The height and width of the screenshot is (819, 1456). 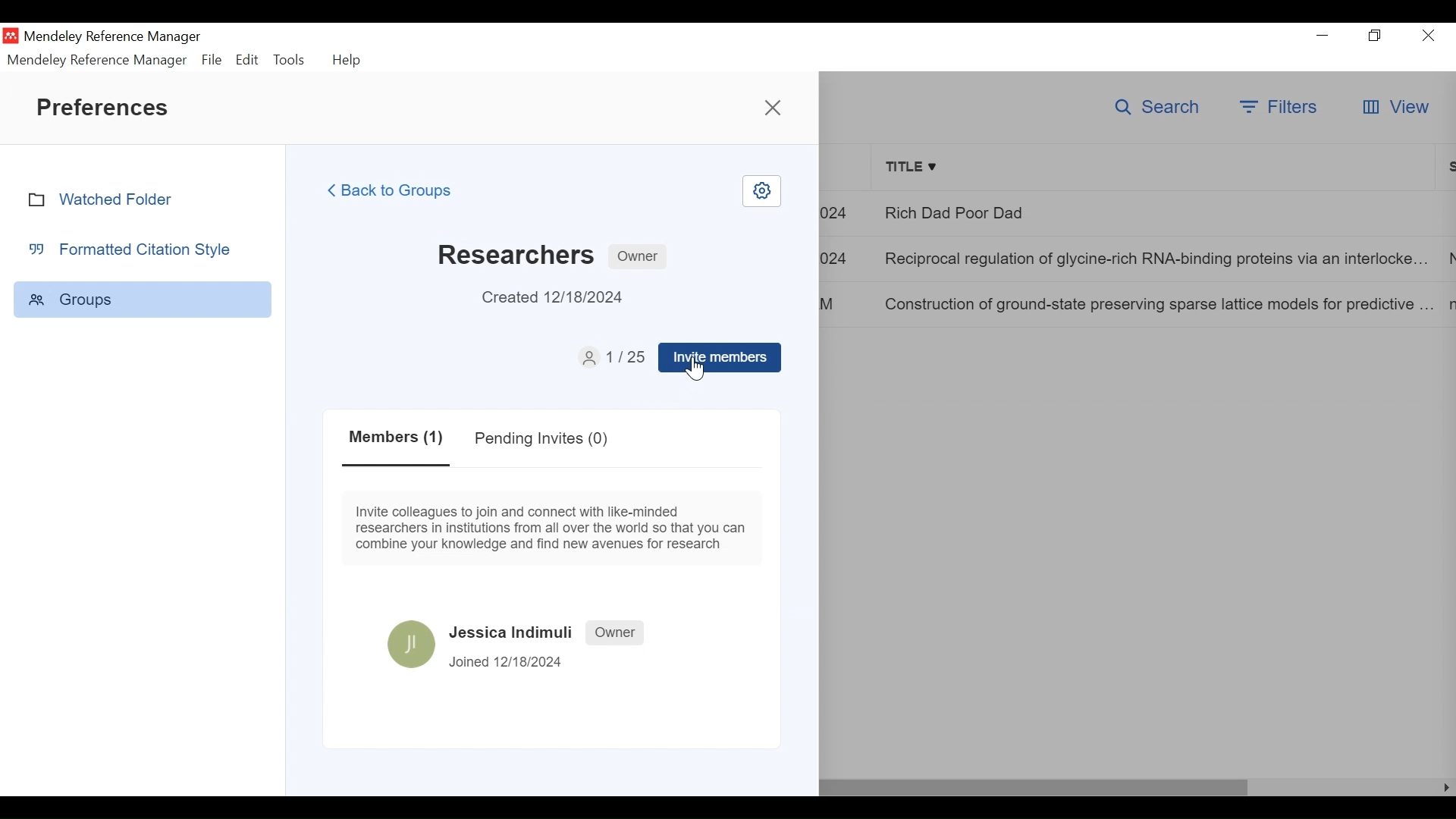 What do you see at coordinates (11, 36) in the screenshot?
I see `Mendeley Desktop Icon` at bounding box center [11, 36].